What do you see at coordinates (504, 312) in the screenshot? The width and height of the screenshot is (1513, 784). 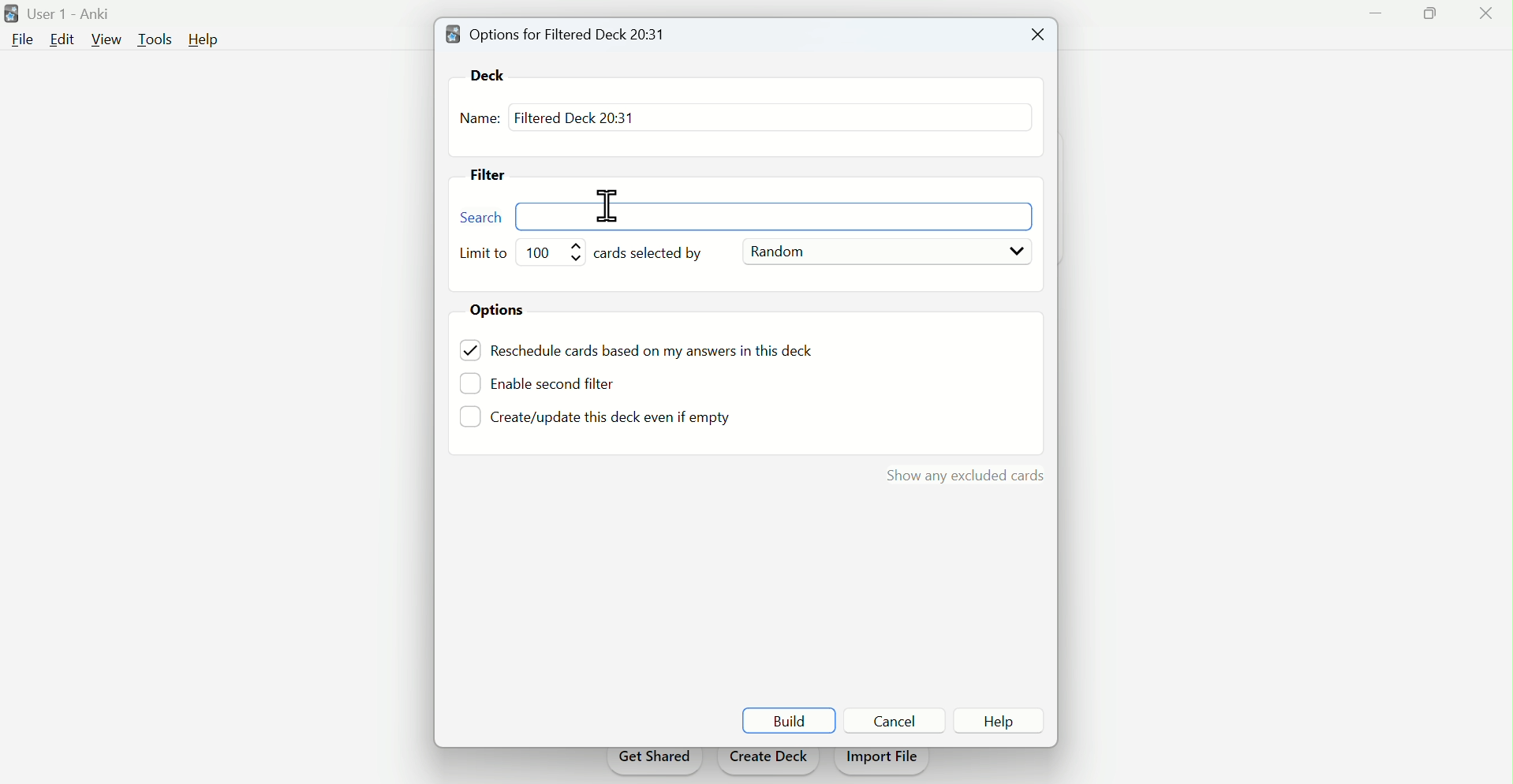 I see `Options` at bounding box center [504, 312].